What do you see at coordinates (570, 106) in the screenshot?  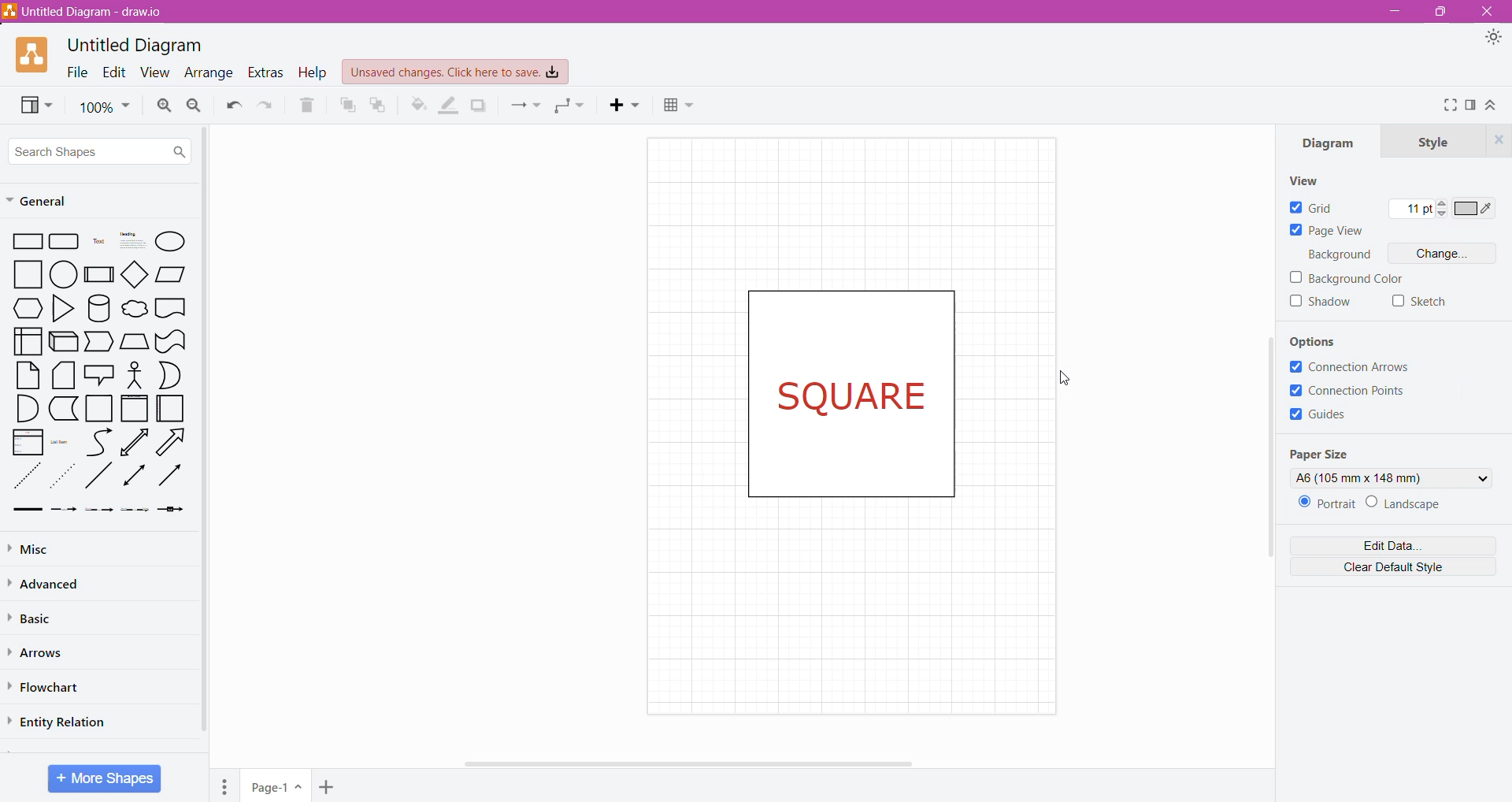 I see `Waypoints` at bounding box center [570, 106].